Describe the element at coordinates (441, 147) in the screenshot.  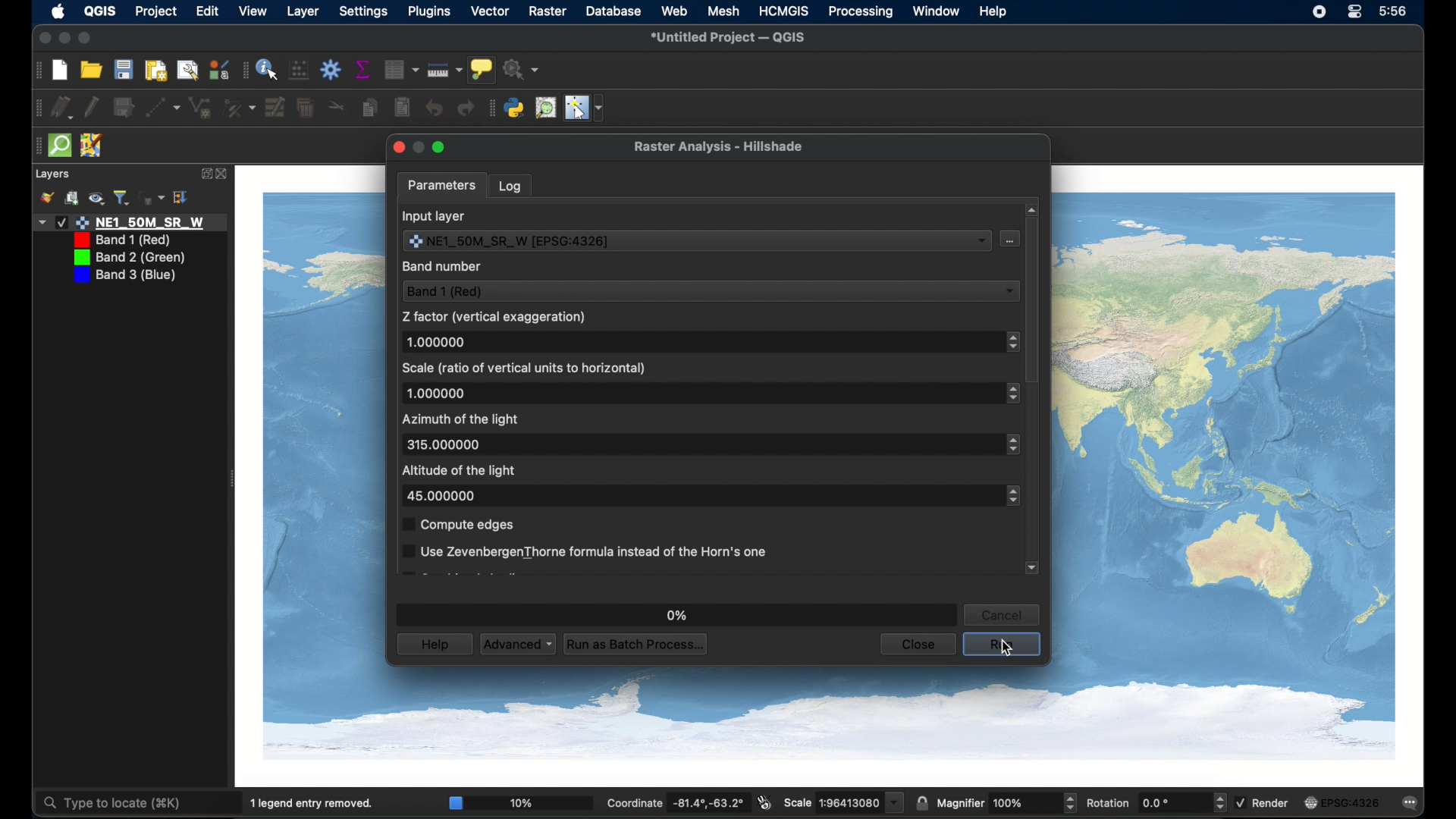
I see `maximize ` at that location.